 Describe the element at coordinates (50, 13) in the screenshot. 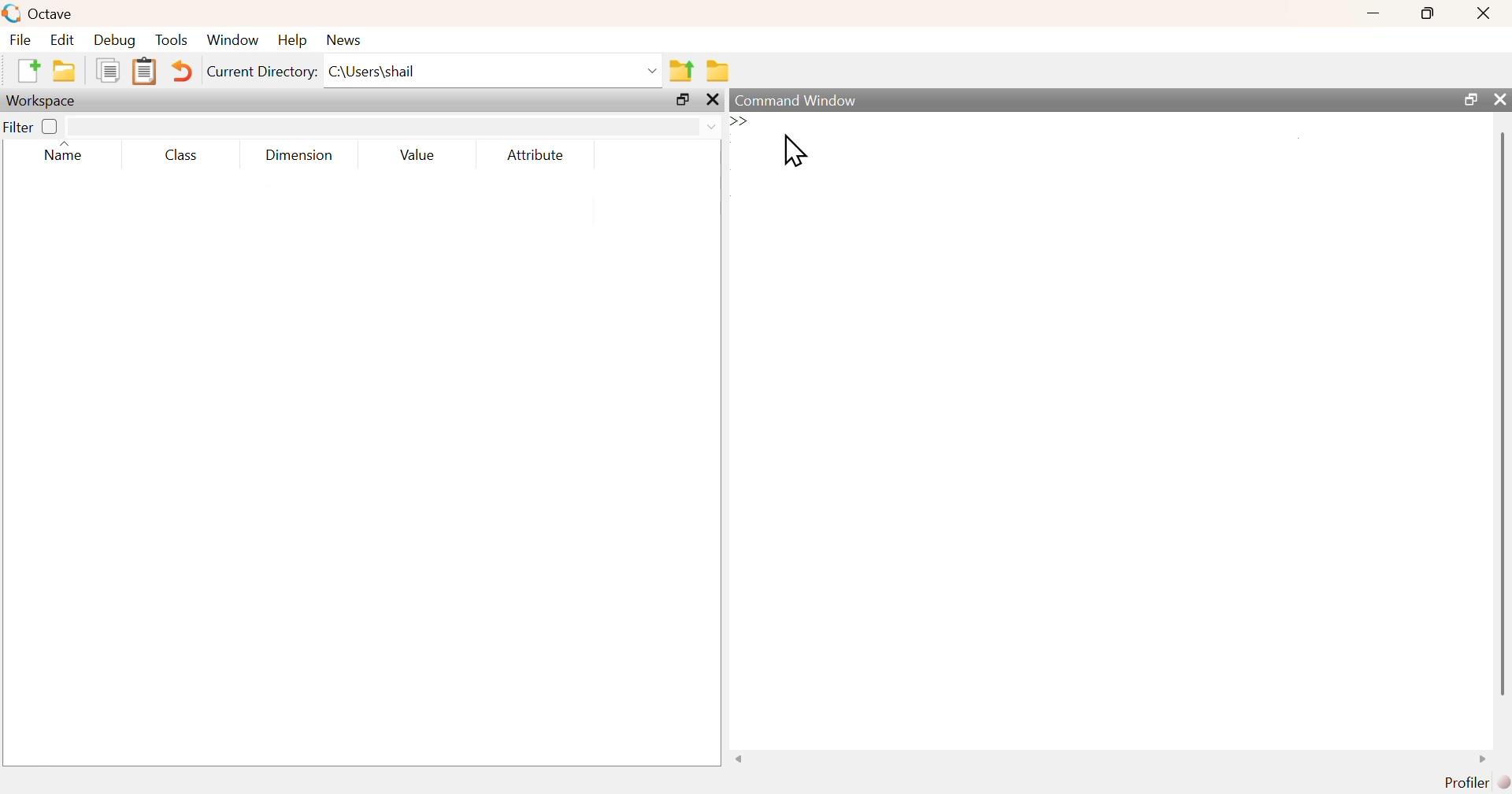

I see `Octave` at that location.